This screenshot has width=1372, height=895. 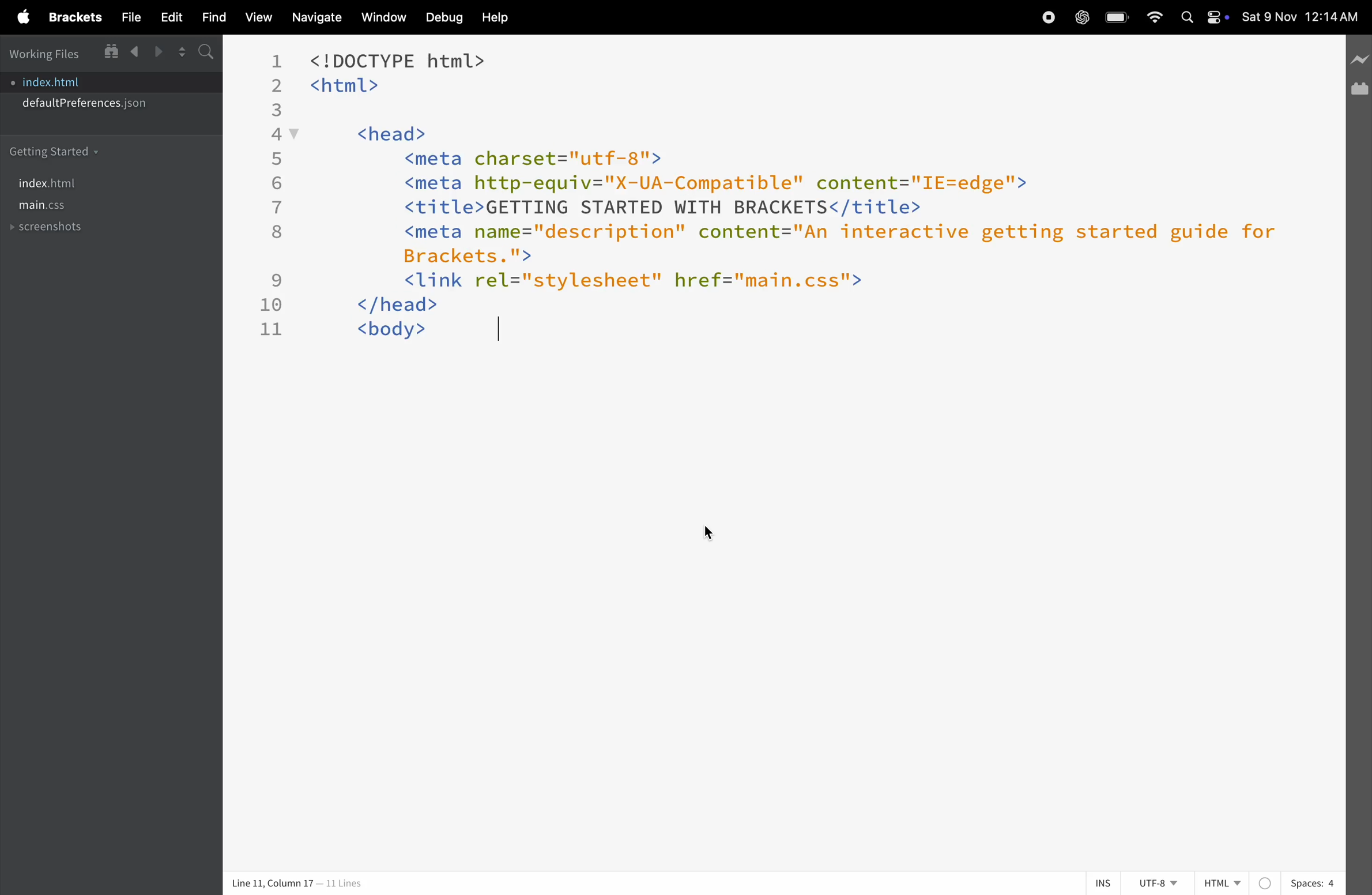 I want to click on edit, so click(x=166, y=17).